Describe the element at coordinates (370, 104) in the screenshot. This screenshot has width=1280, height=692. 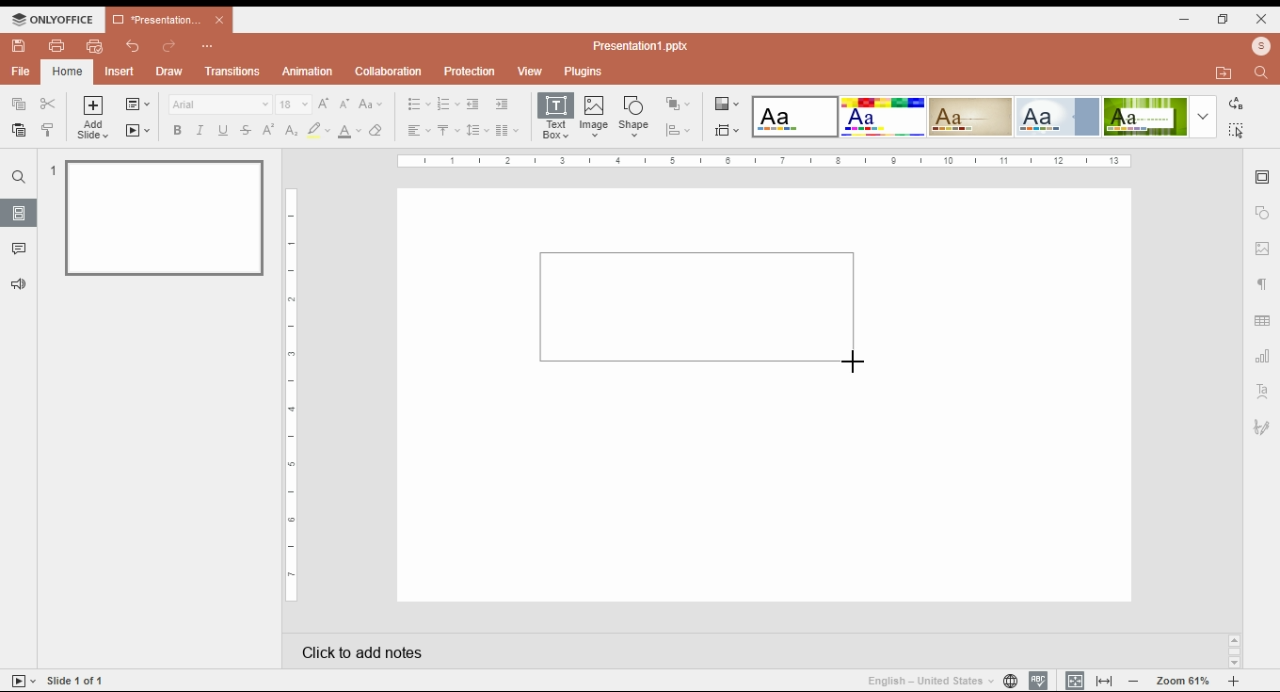
I see `change case` at that location.